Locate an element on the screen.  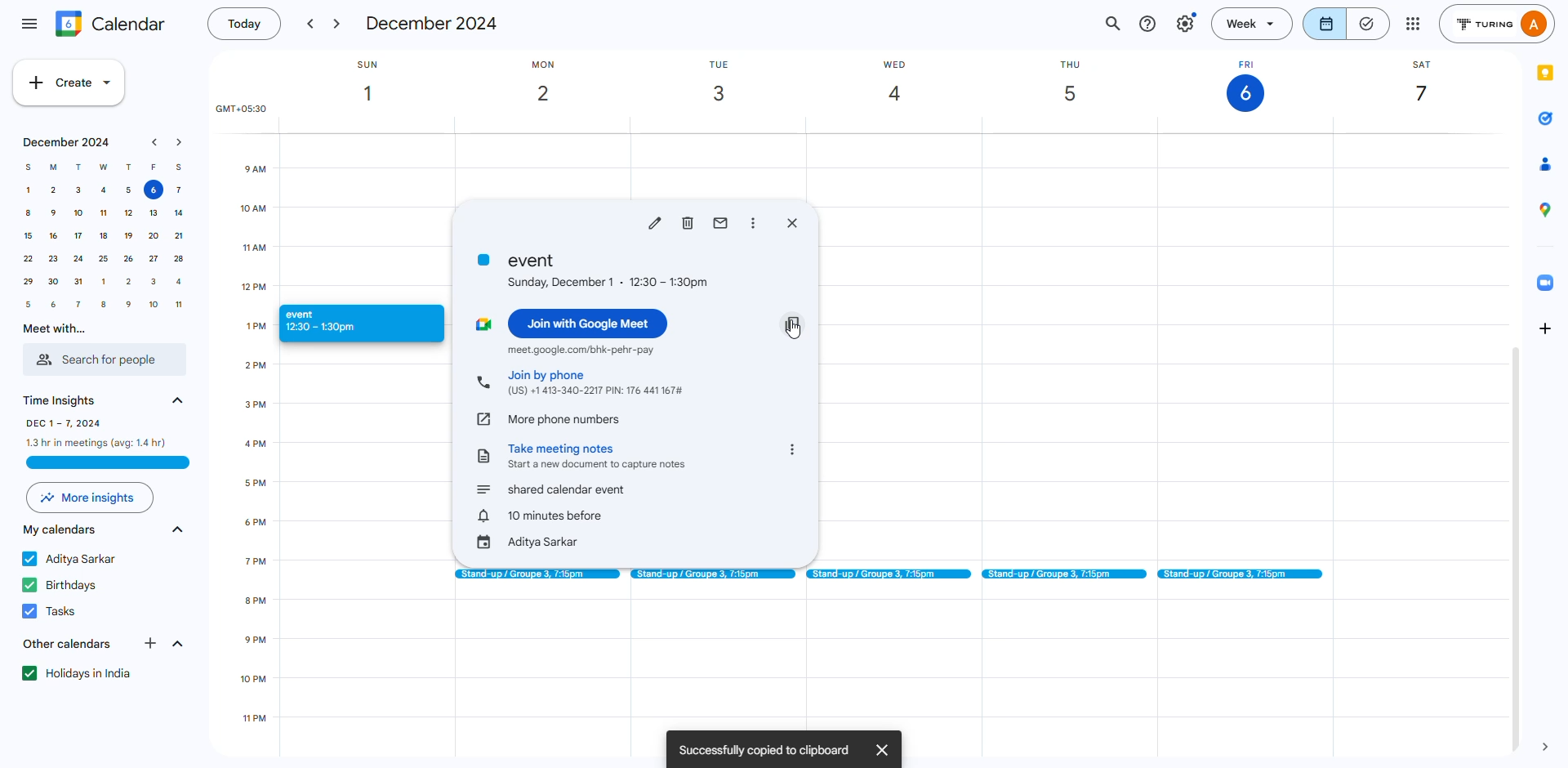
4 is located at coordinates (103, 190).